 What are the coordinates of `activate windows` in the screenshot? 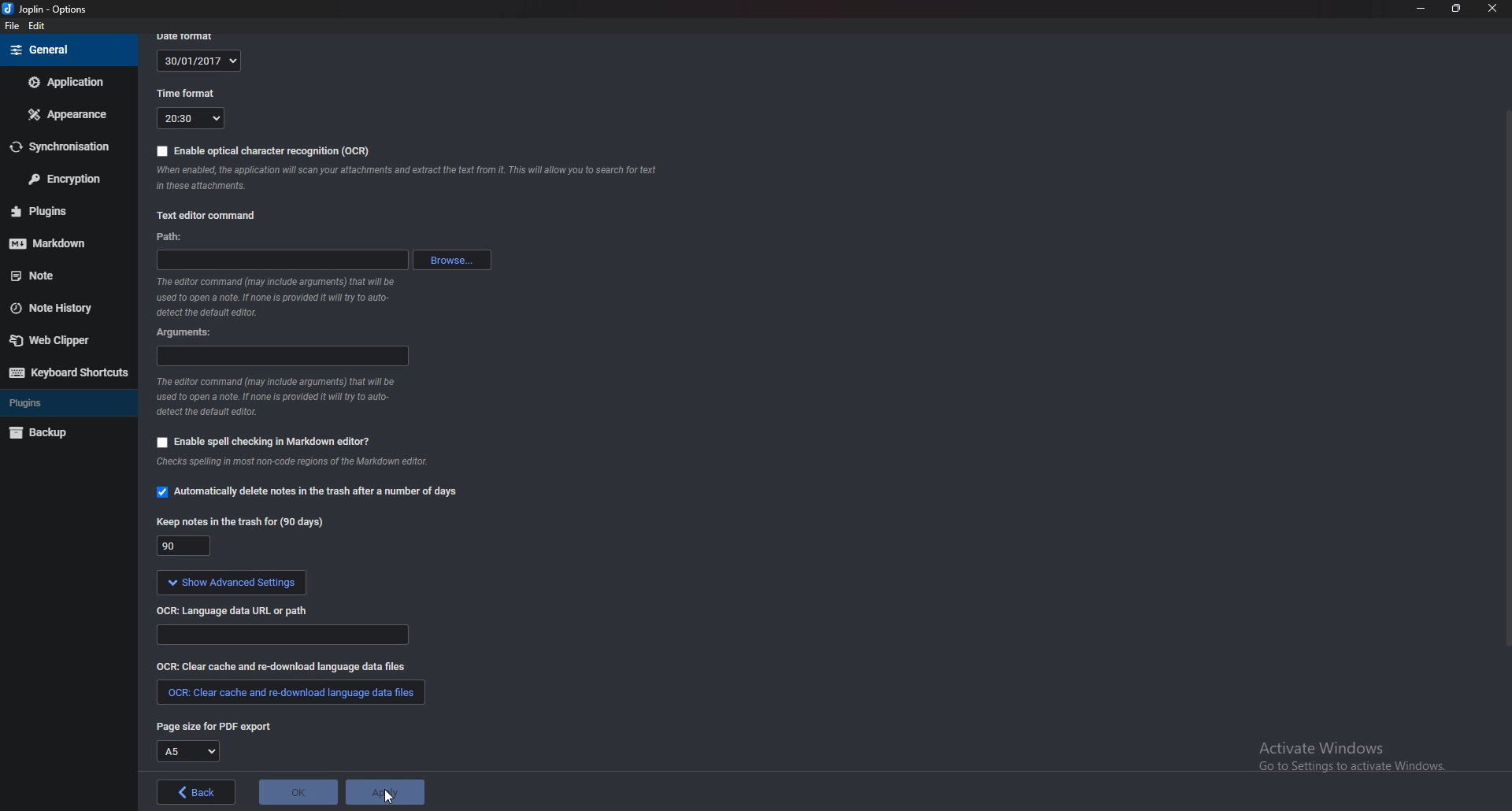 It's located at (1360, 754).